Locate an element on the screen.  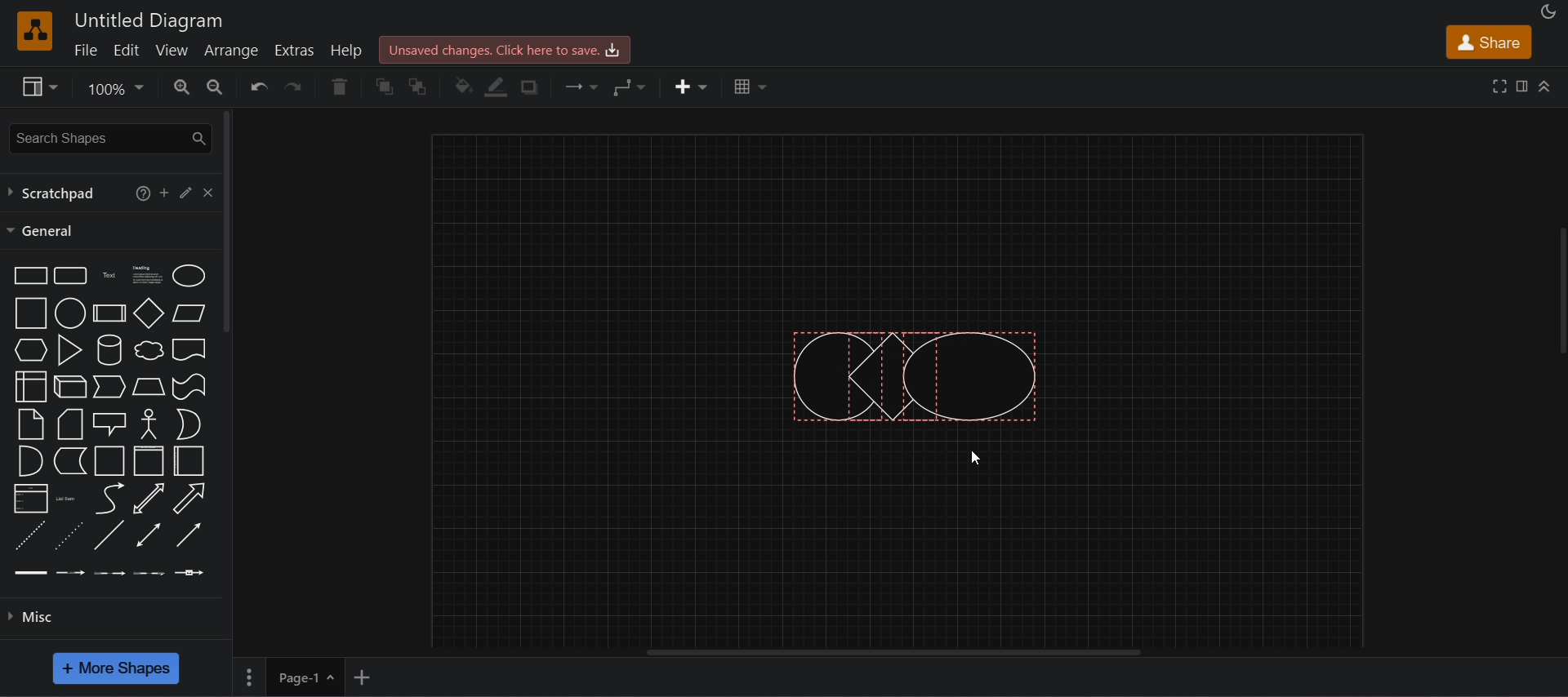
edit is located at coordinates (185, 191).